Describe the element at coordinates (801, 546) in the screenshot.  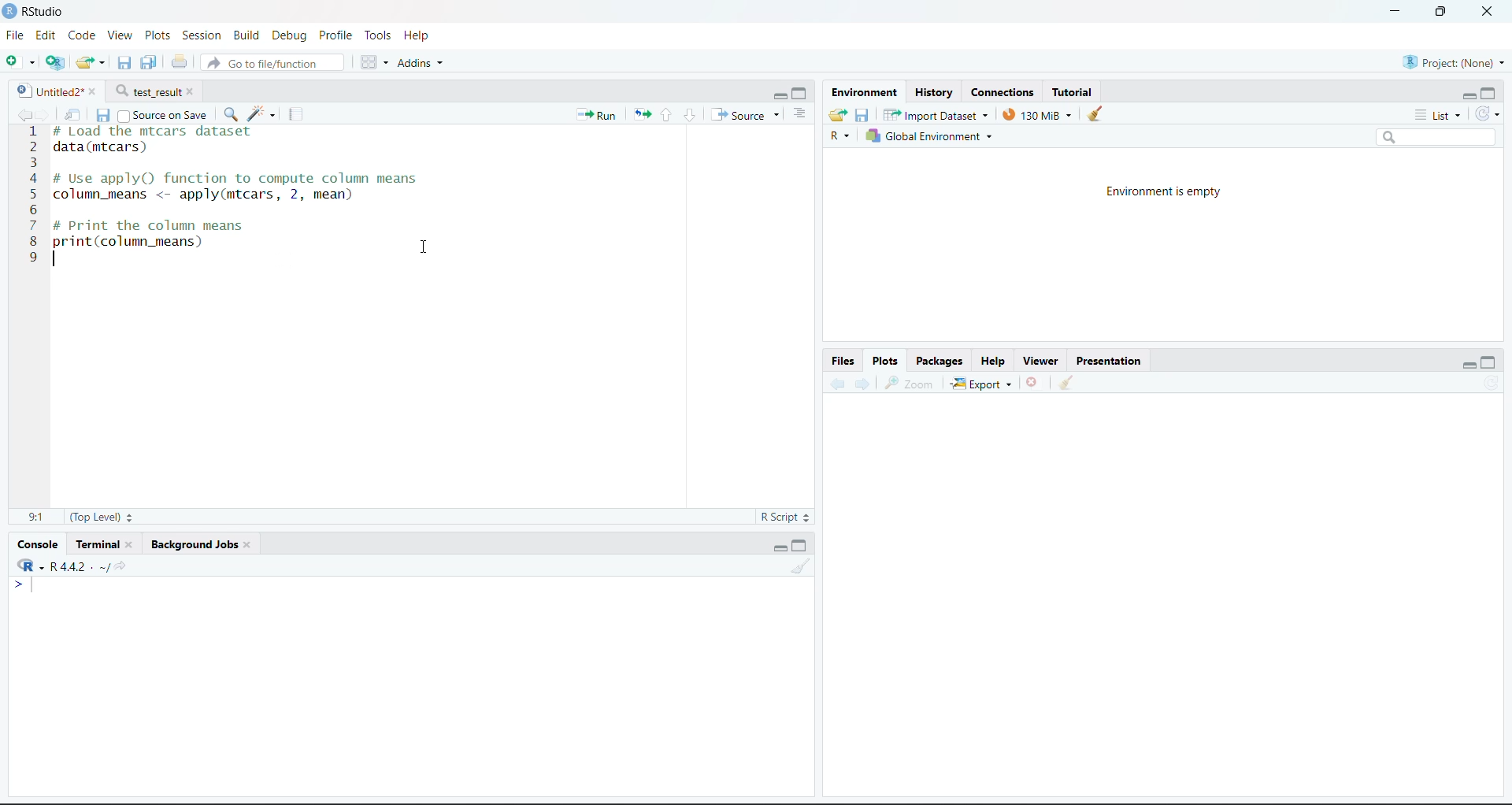
I see `Maximize` at that location.